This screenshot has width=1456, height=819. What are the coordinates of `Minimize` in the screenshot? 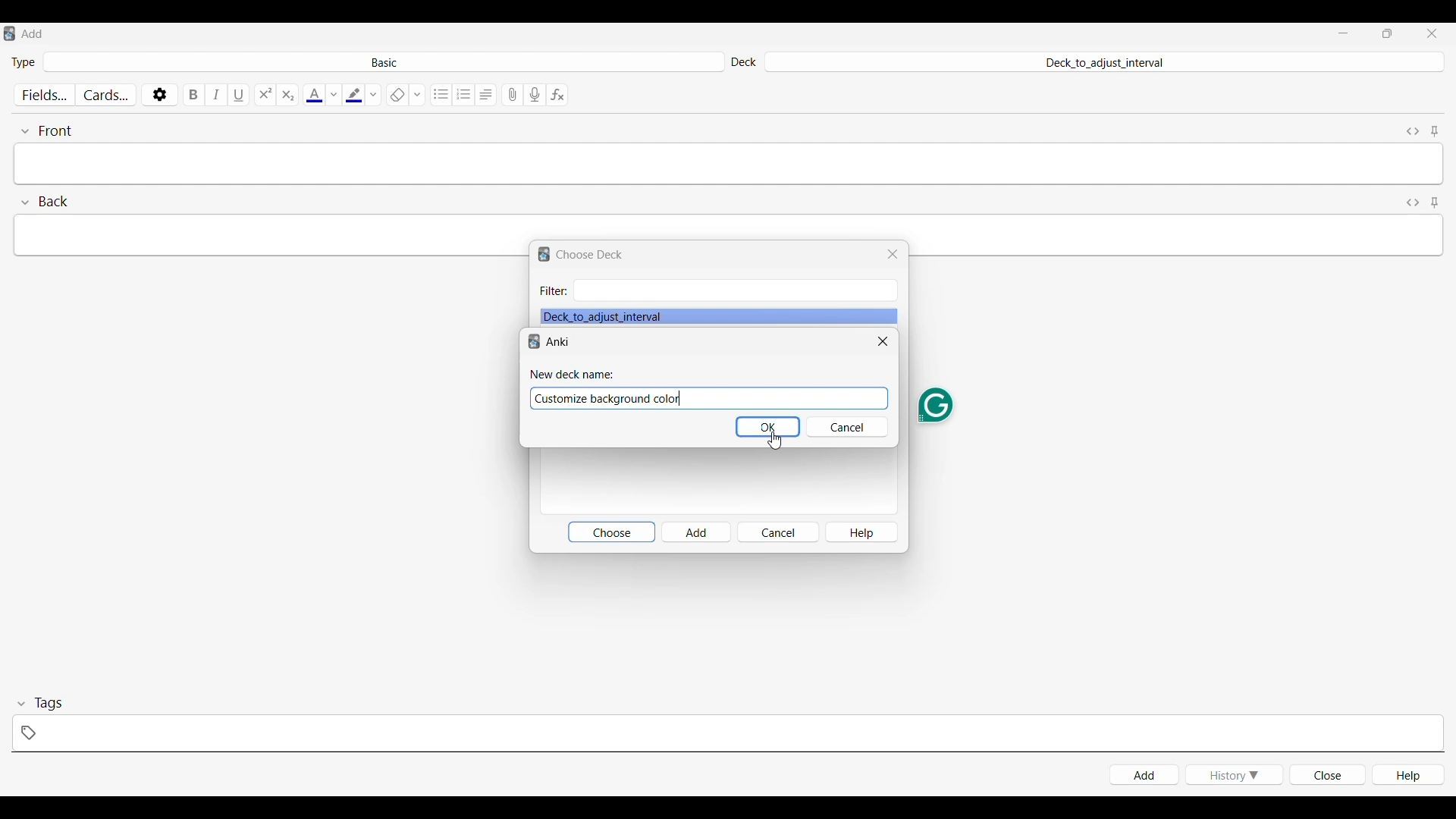 It's located at (1343, 33).